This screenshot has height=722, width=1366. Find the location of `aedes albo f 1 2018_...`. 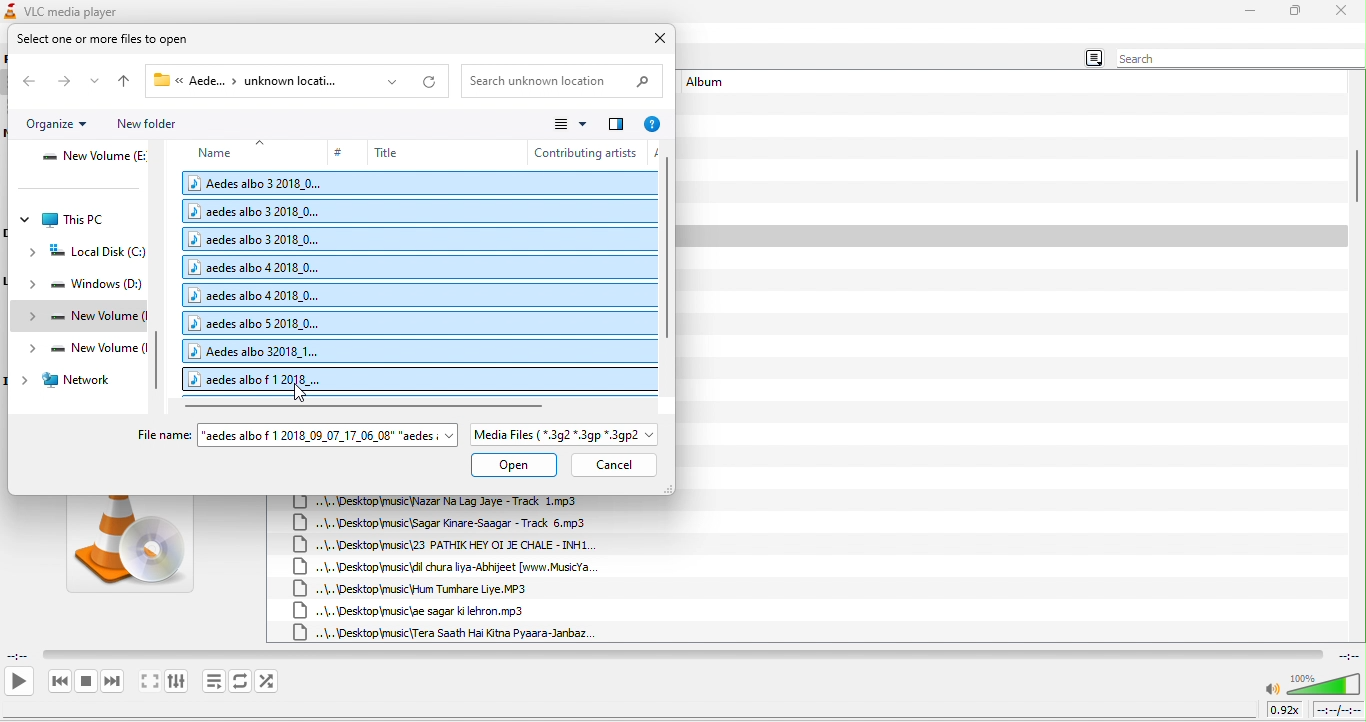

aedes albo f 1 2018_... is located at coordinates (258, 378).